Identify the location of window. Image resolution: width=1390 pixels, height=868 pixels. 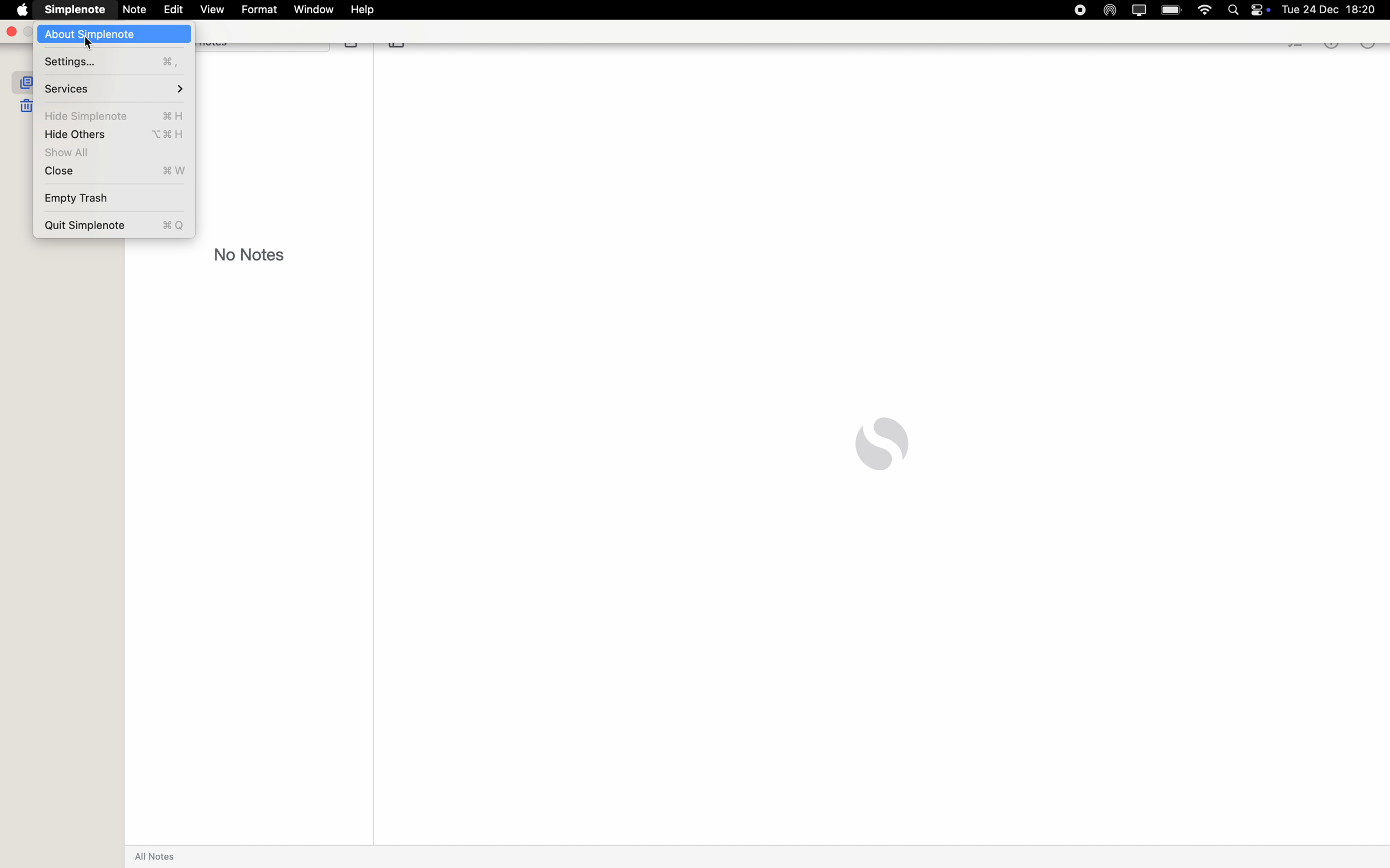
(315, 10).